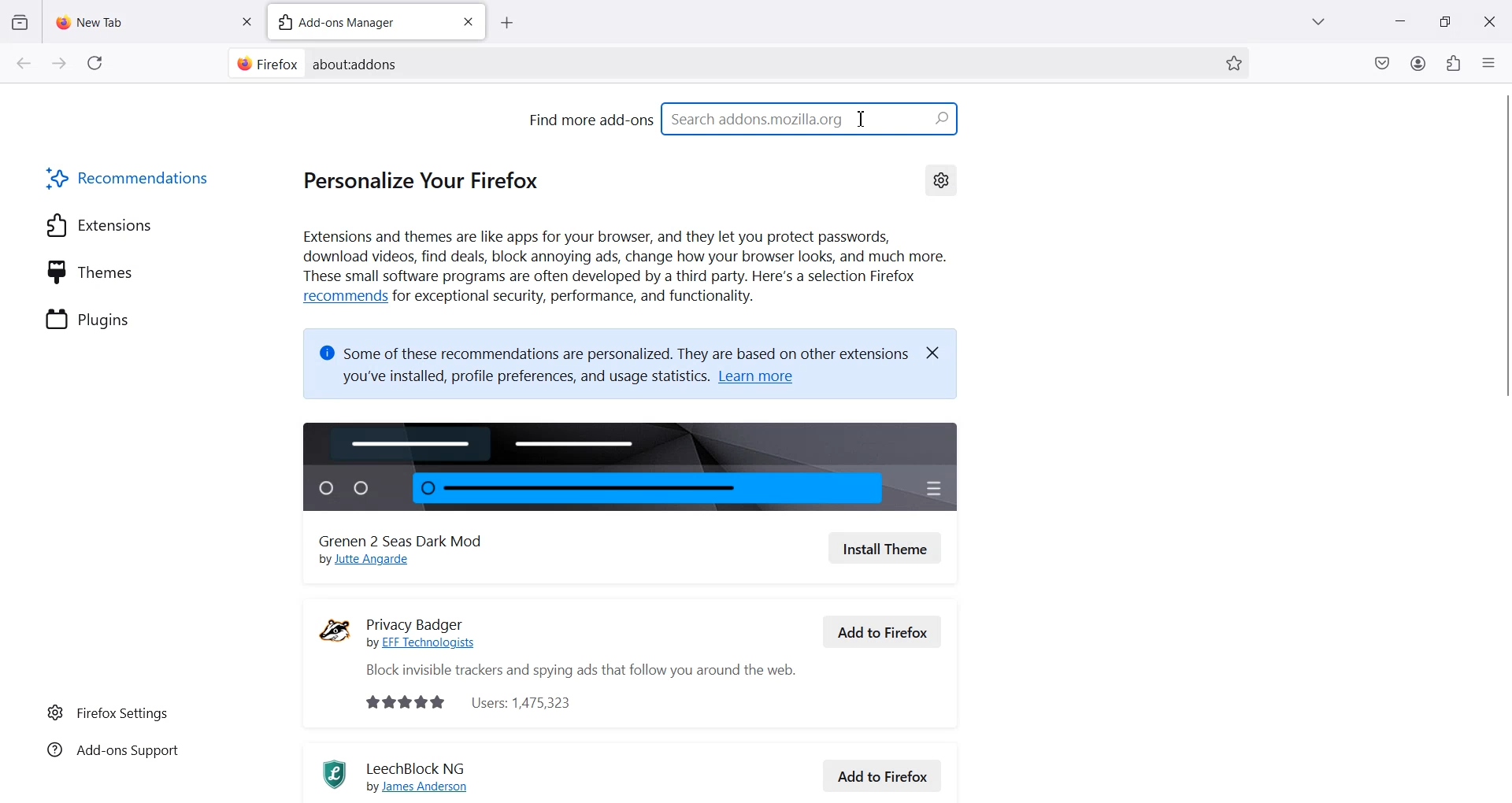 Image resolution: width=1512 pixels, height=803 pixels. Describe the element at coordinates (468, 22) in the screenshot. I see `Close tab` at that location.